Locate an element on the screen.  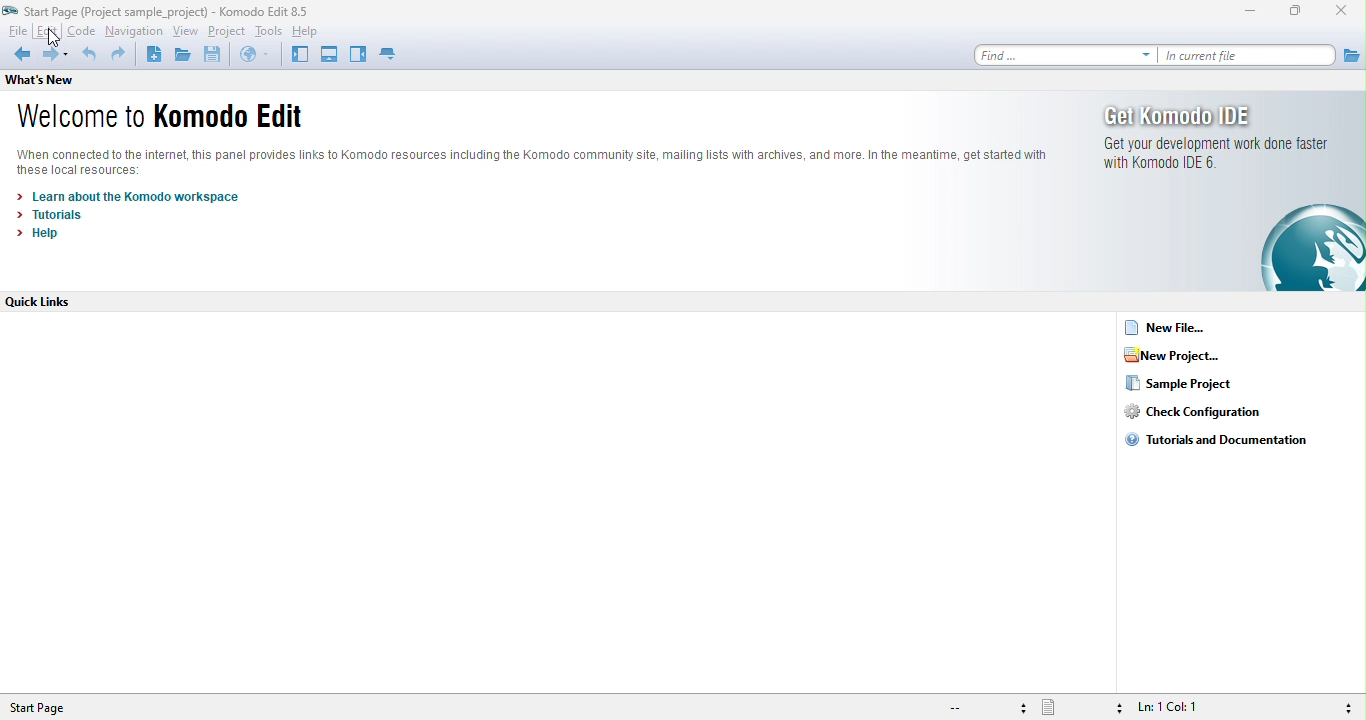
maximize is located at coordinates (1300, 12).